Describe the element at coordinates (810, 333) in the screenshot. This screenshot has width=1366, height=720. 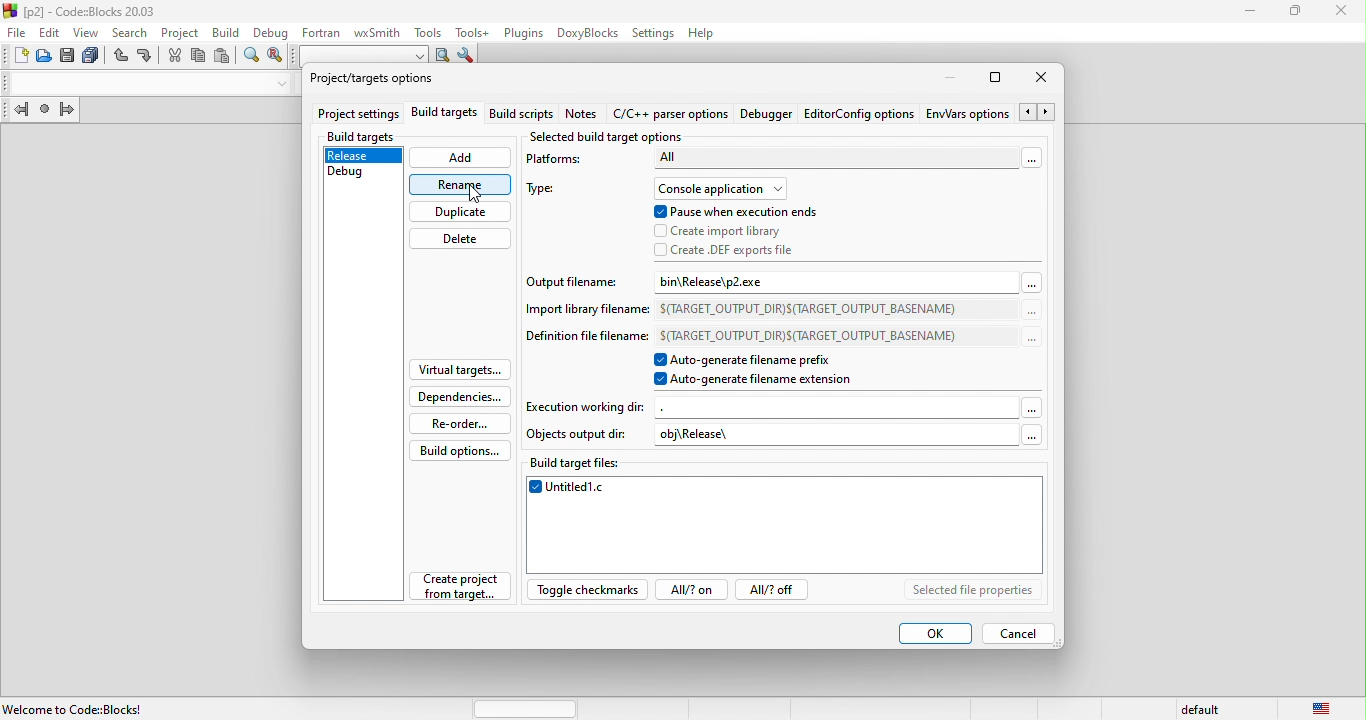
I see `(TARGET_OUTPUT_DIR)S(TARGET_OUTPUT_BASENAME)` at that location.